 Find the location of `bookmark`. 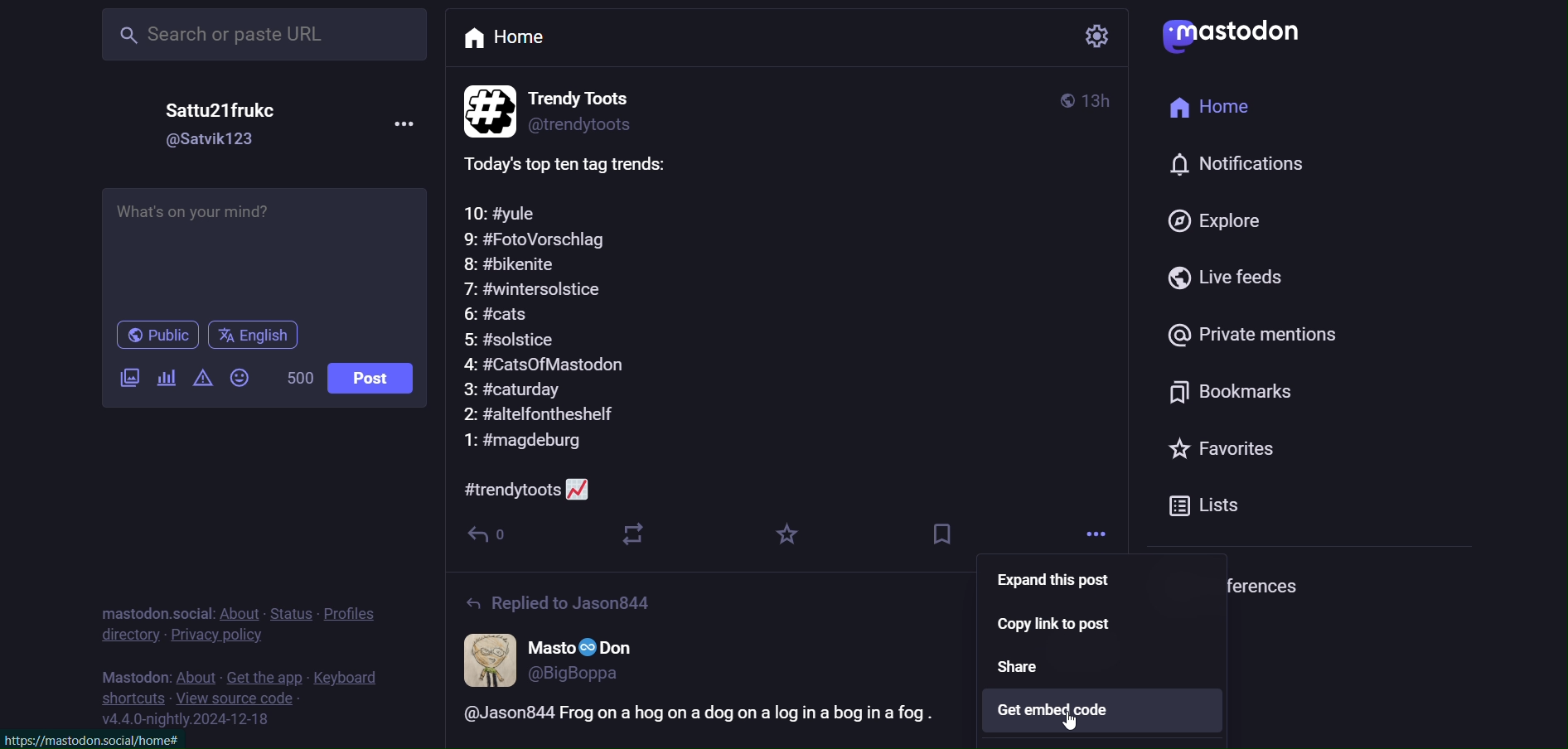

bookmark is located at coordinates (948, 537).